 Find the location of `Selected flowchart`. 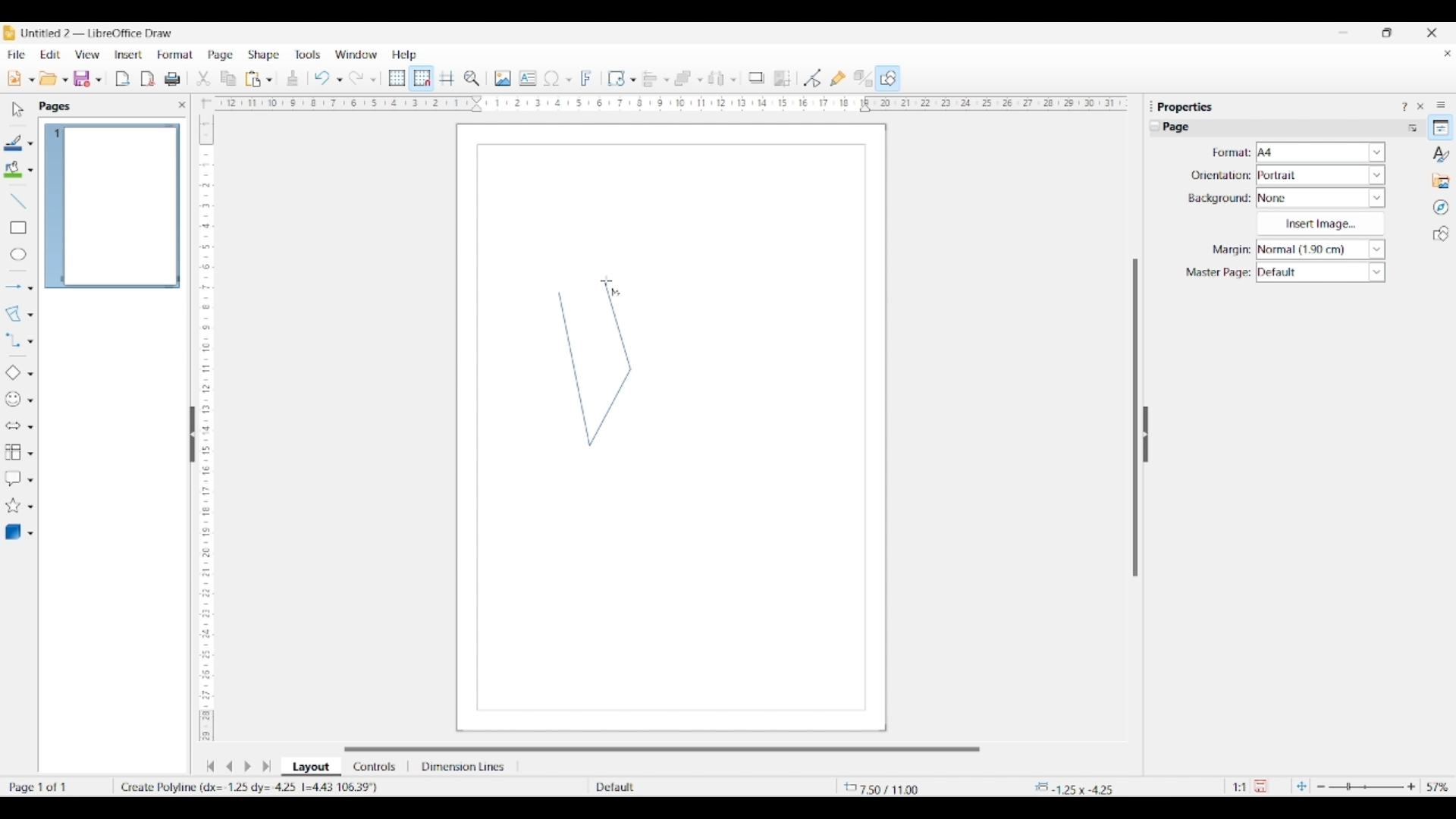

Selected flowchart is located at coordinates (13, 453).